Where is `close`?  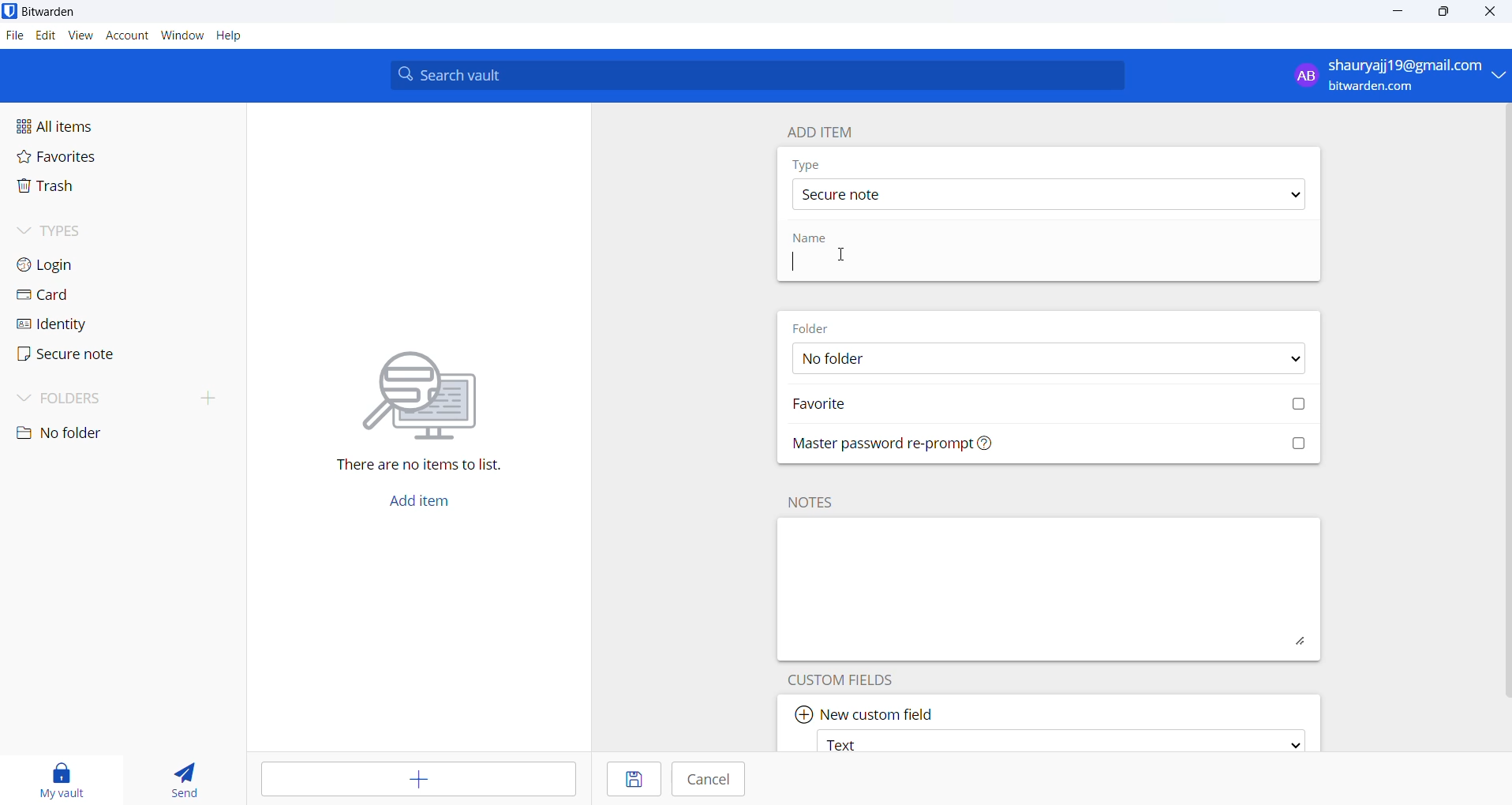
close is located at coordinates (1495, 12).